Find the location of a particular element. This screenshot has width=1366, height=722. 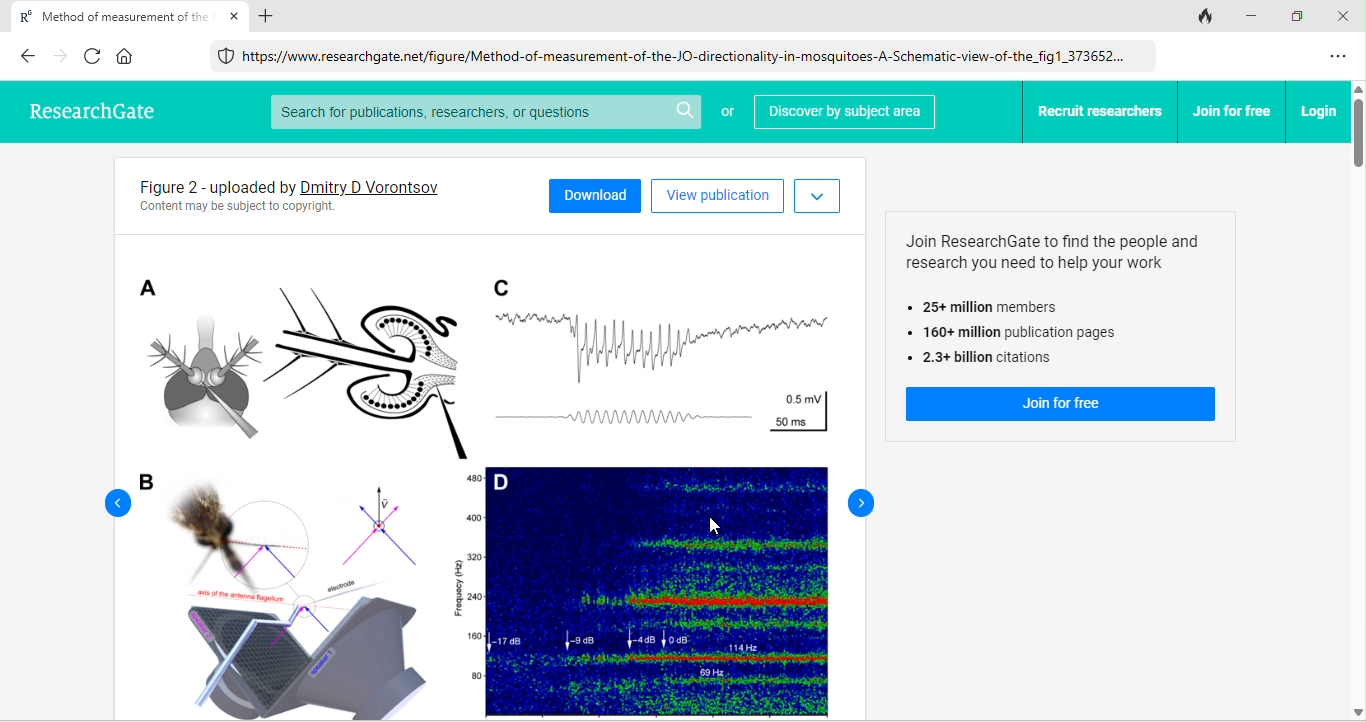

add tab is located at coordinates (267, 16).